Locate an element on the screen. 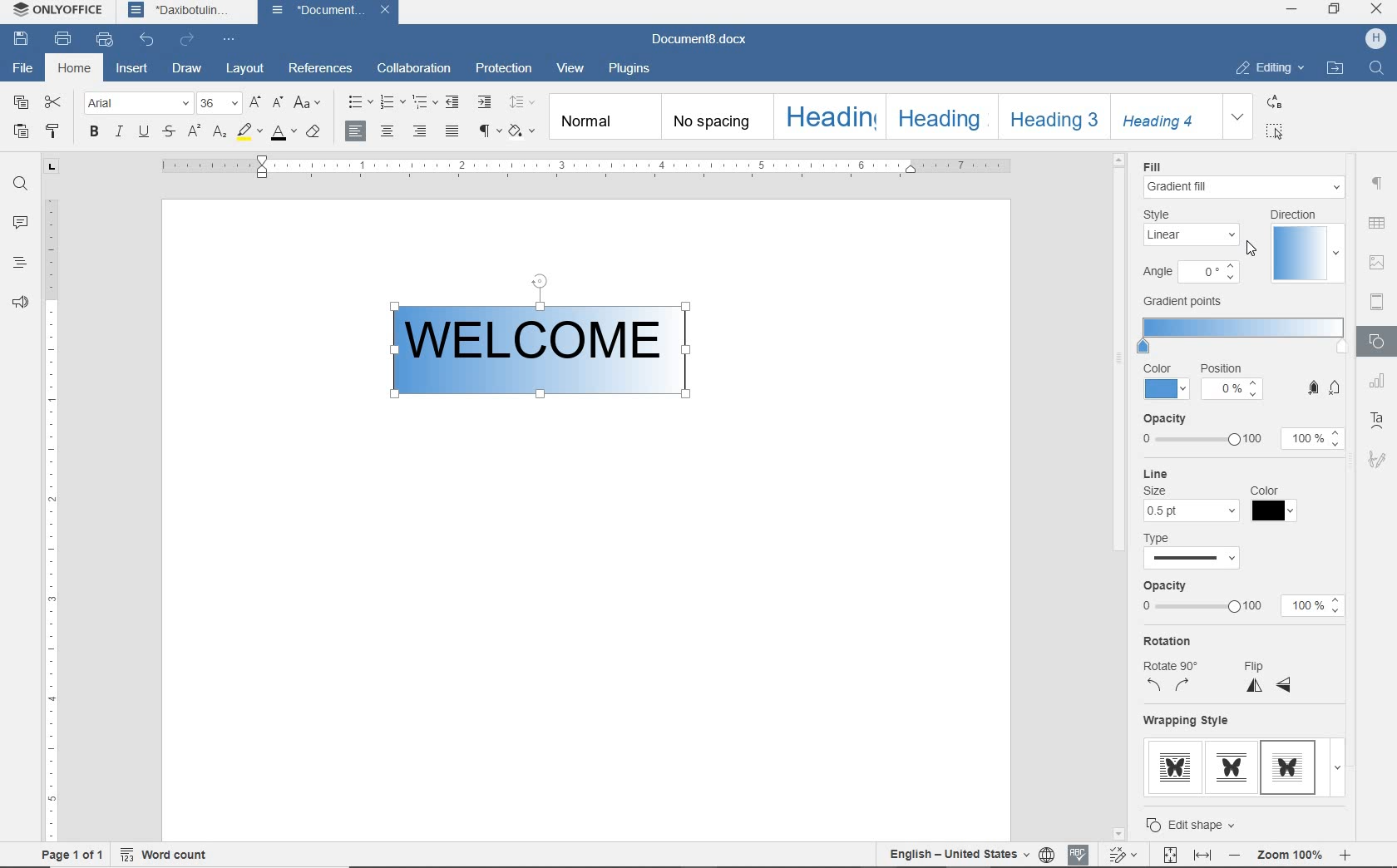 The width and height of the screenshot is (1397, 868). HEADER & FOOTER is located at coordinates (1379, 302).